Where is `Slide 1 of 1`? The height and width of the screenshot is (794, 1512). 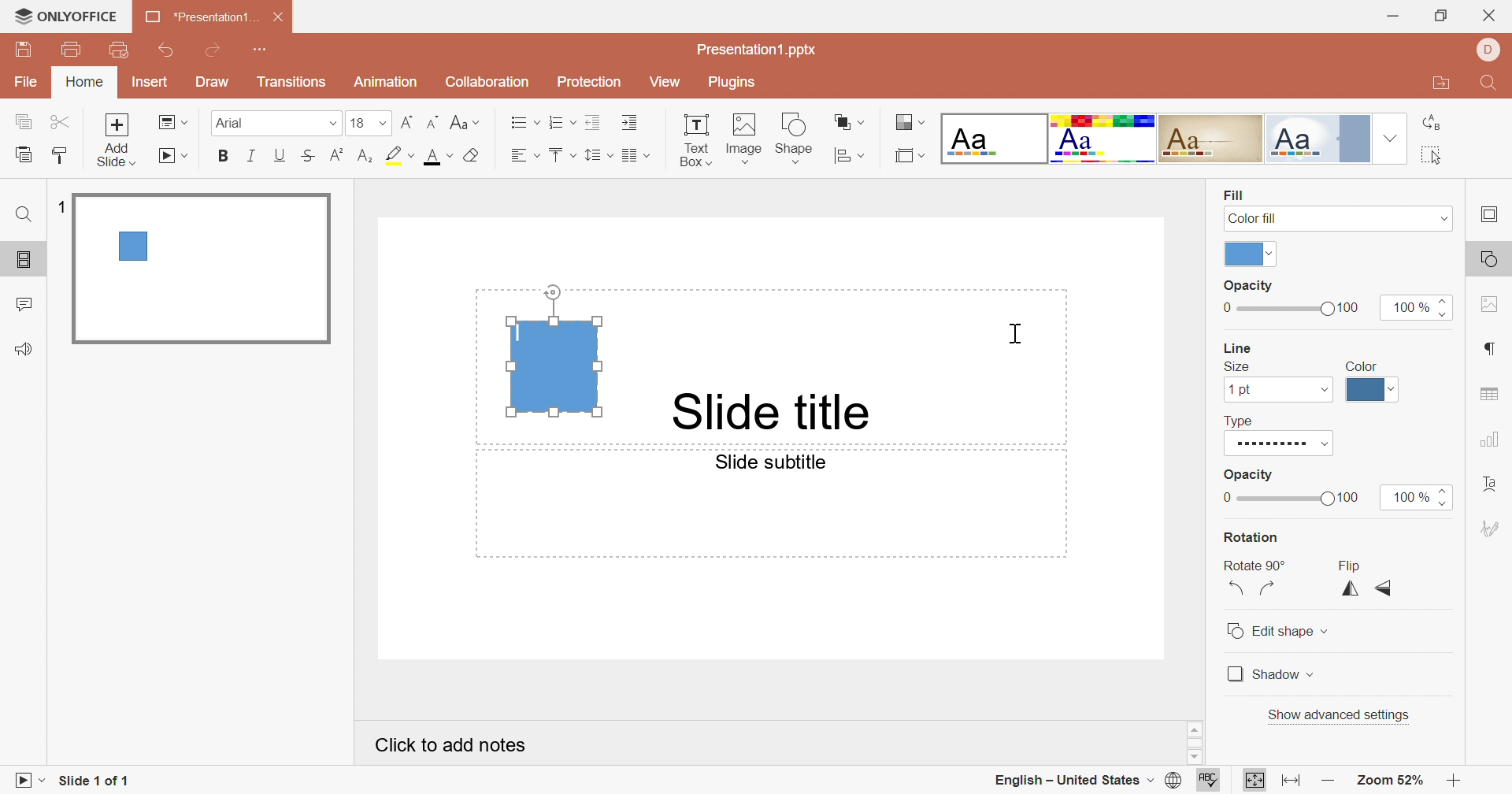 Slide 1 of 1 is located at coordinates (97, 781).